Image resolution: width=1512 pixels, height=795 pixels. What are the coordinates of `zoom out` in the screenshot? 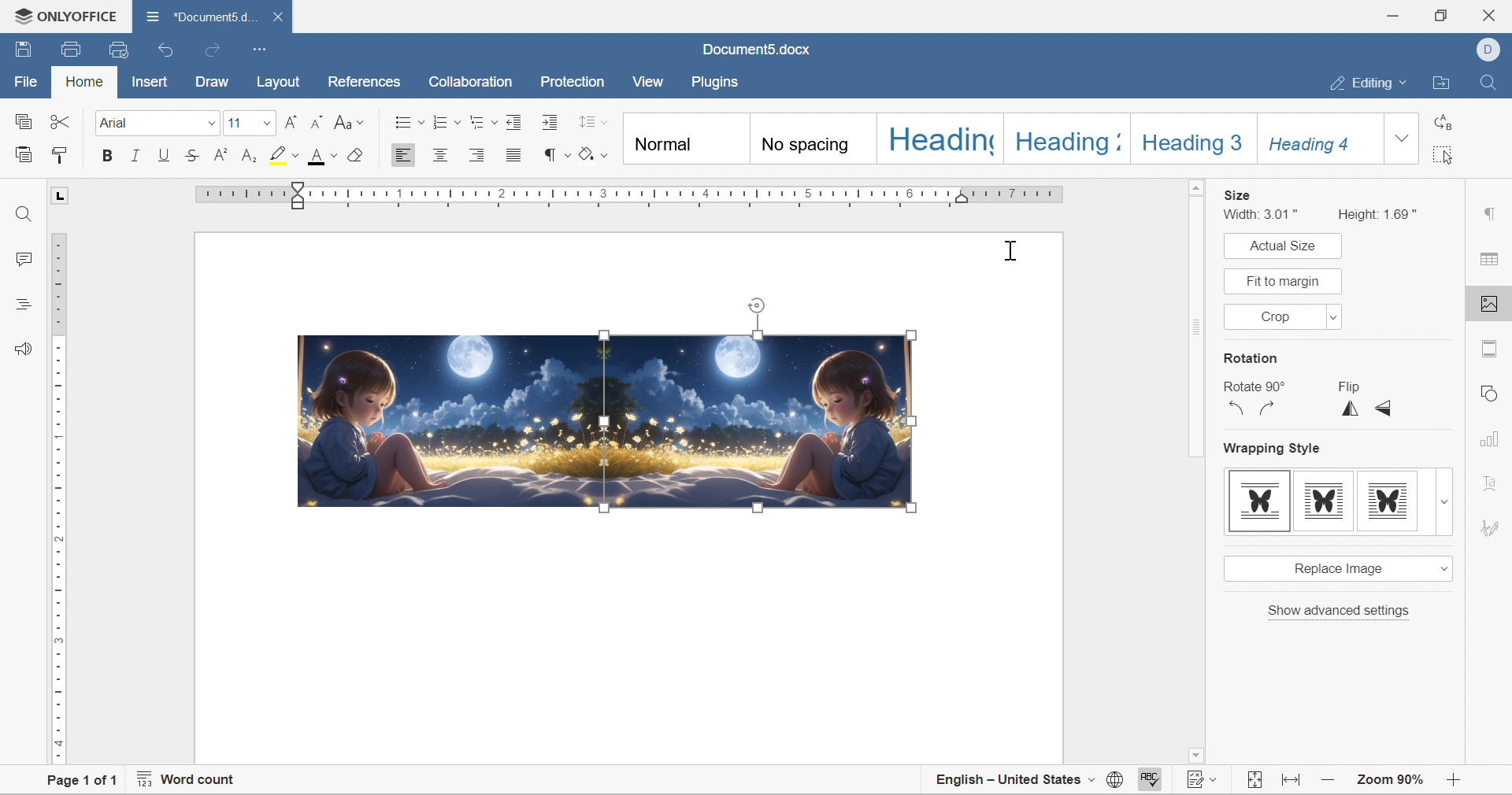 It's located at (1451, 783).